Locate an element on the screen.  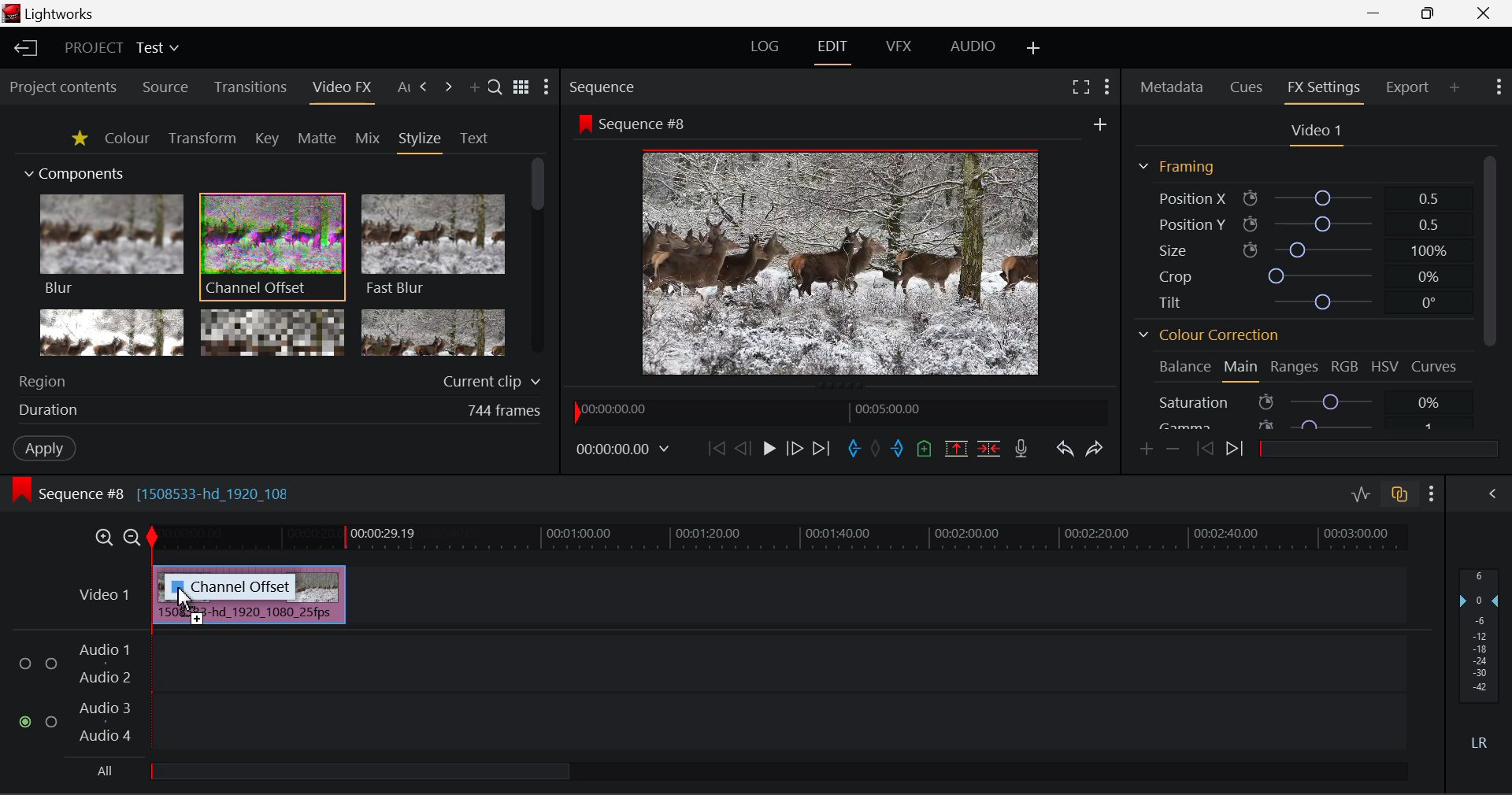
Sequence Preview Screen is located at coordinates (842, 244).